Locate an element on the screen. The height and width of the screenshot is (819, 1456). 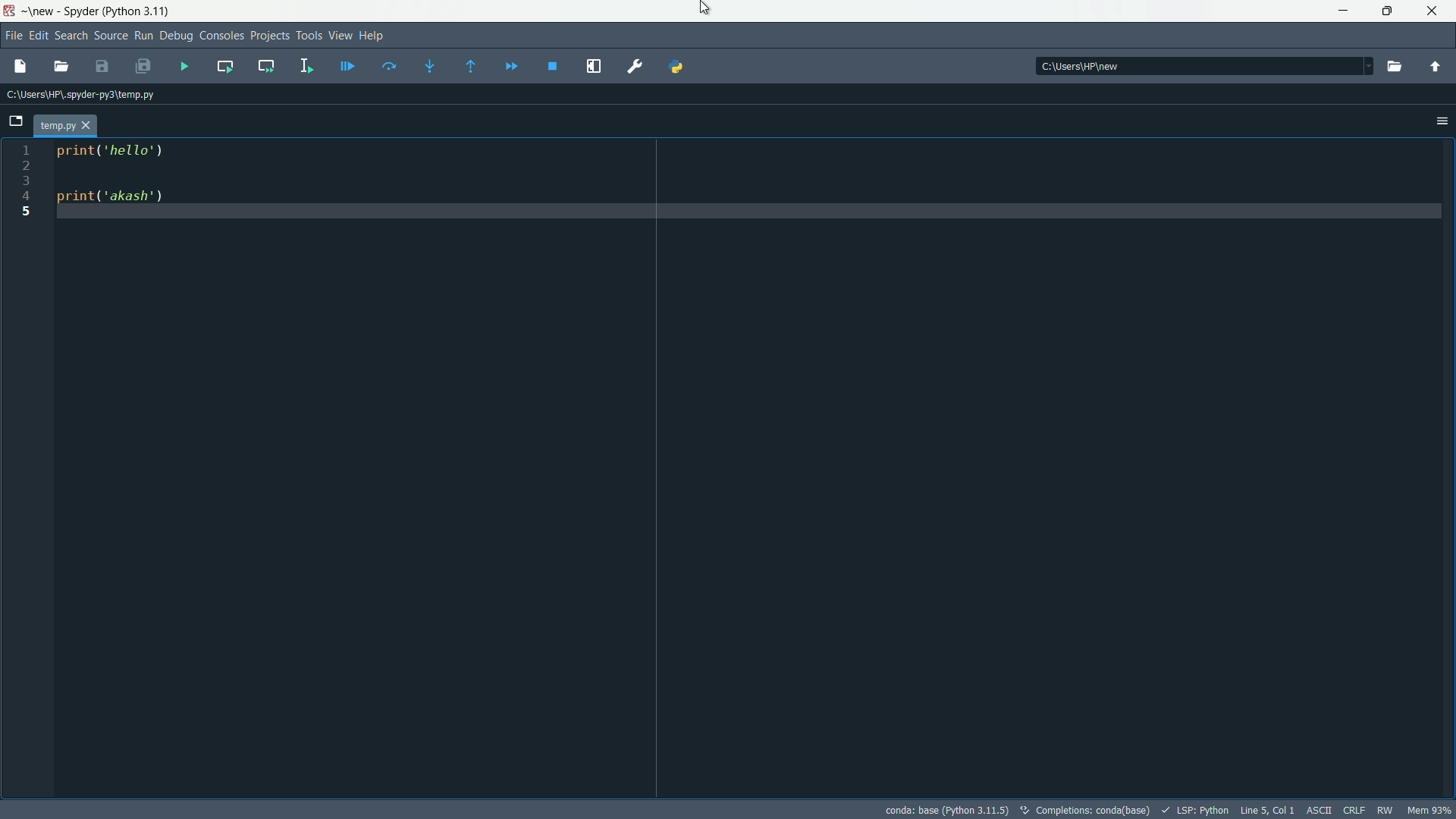
text is located at coordinates (1087, 808).